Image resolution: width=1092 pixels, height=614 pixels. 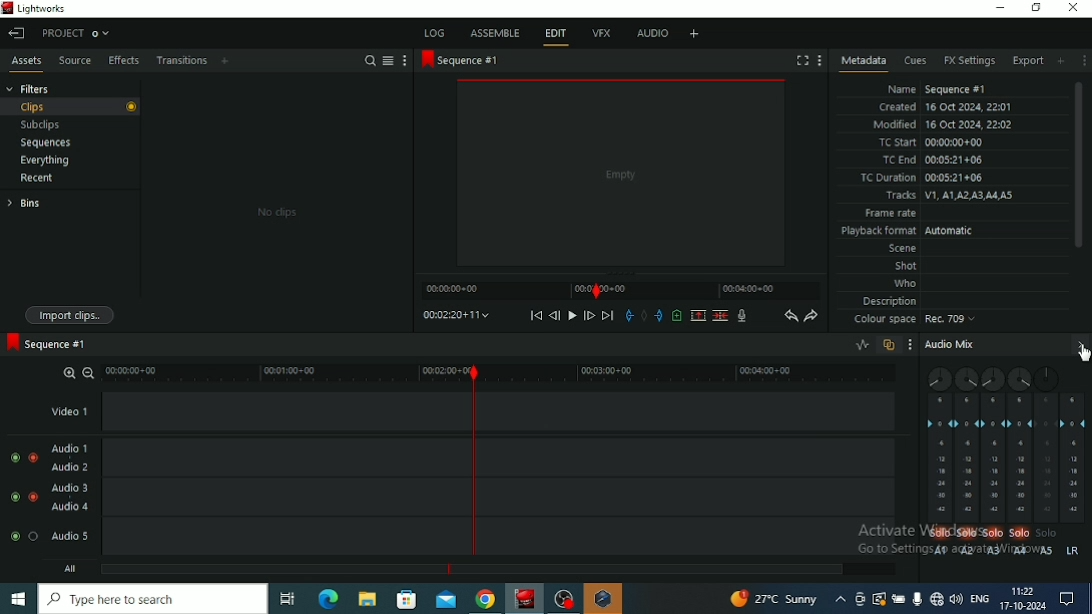 I want to click on Bins, so click(x=24, y=203).